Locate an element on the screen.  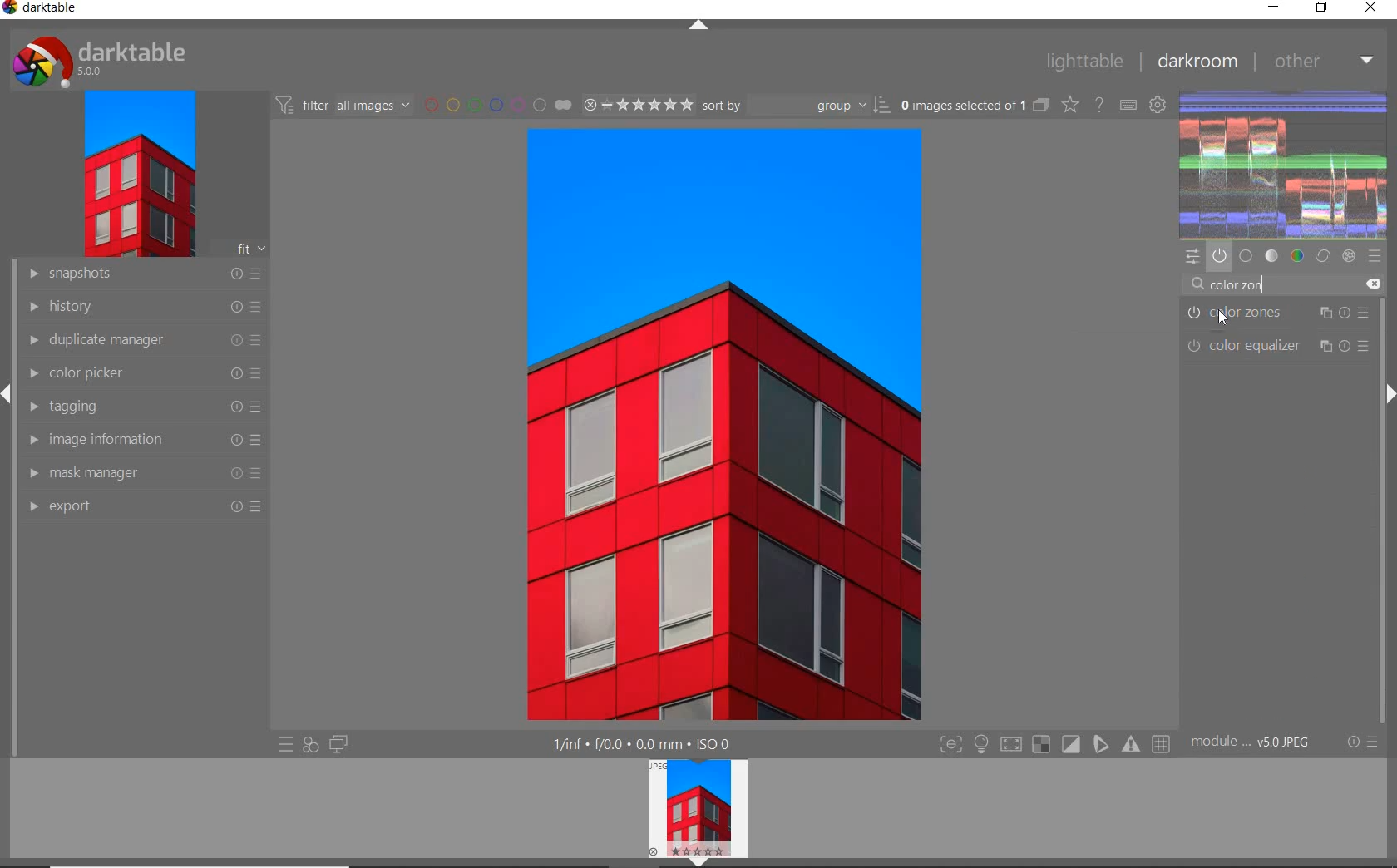
lighttable is located at coordinates (1083, 62).